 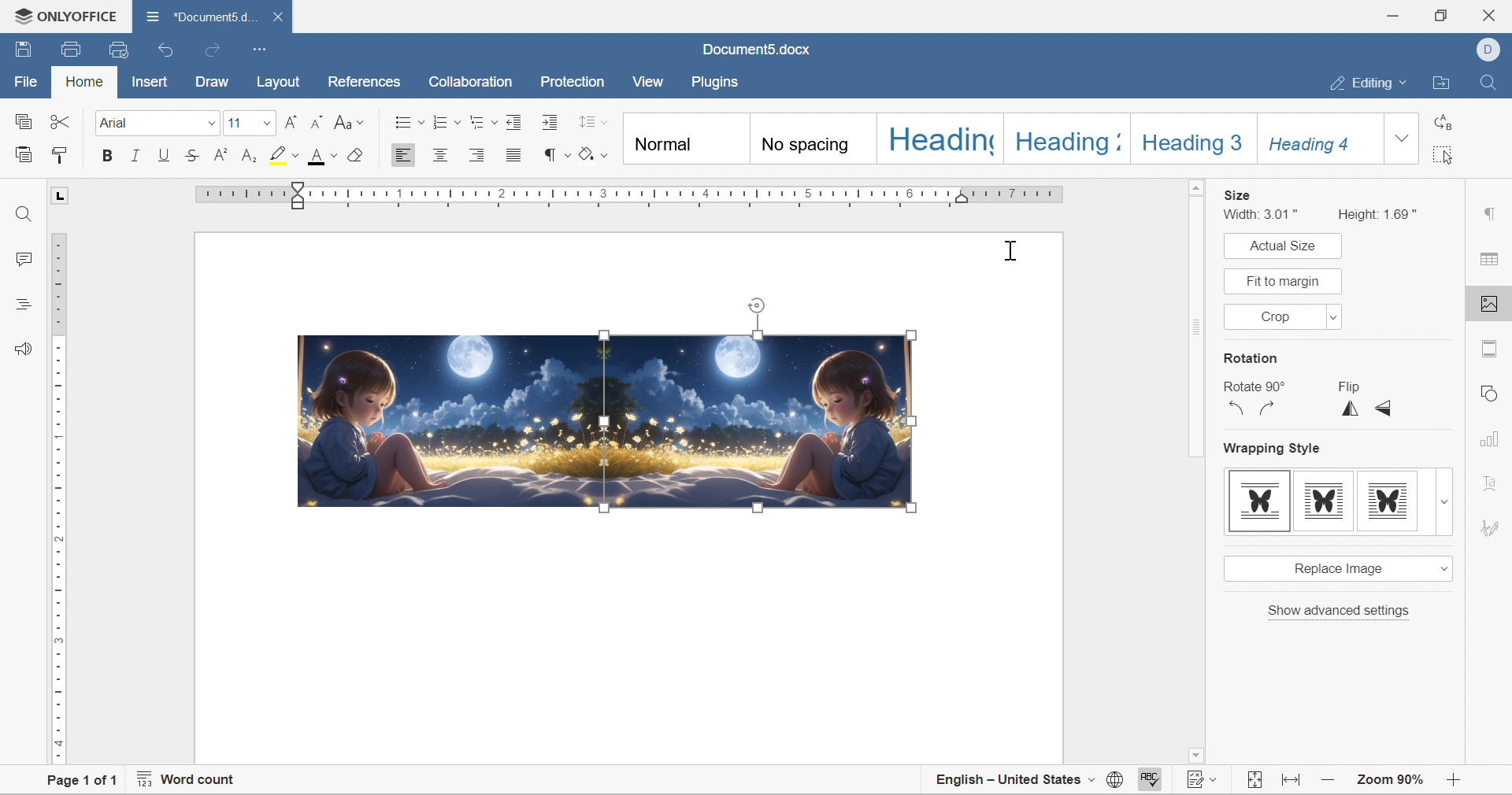 I want to click on protection, so click(x=570, y=82).